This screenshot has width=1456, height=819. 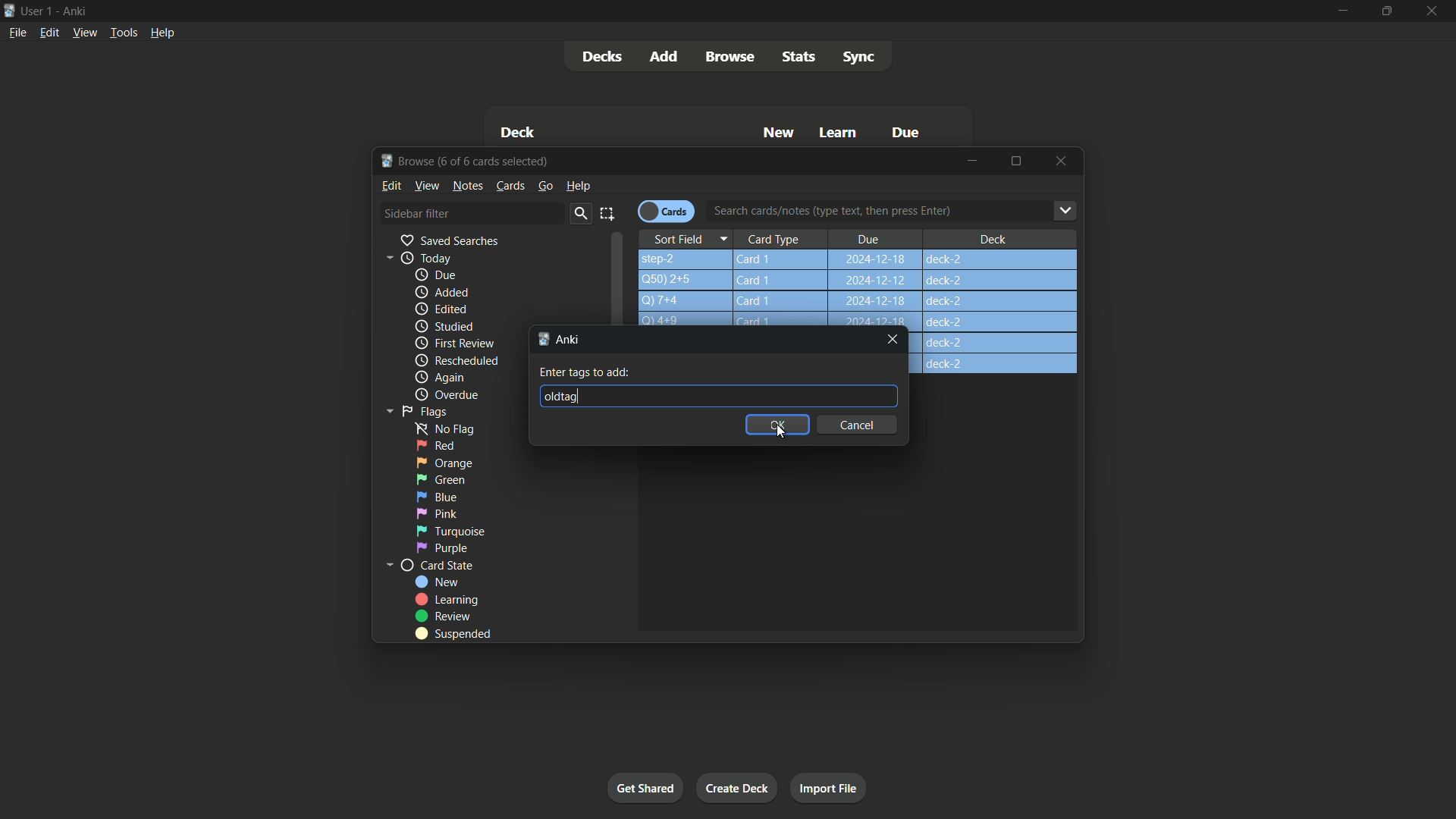 What do you see at coordinates (78, 11) in the screenshot?
I see `App name` at bounding box center [78, 11].